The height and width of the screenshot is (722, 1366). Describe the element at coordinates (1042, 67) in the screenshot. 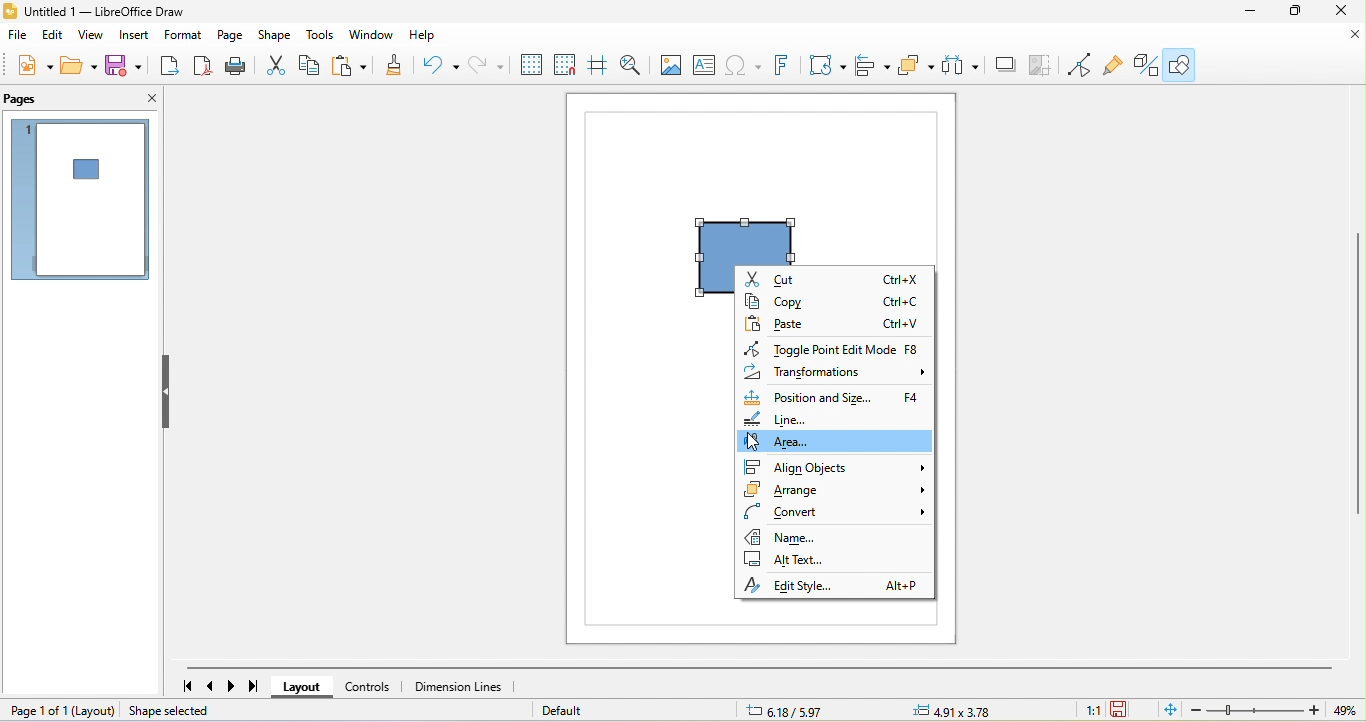

I see `crop image` at that location.